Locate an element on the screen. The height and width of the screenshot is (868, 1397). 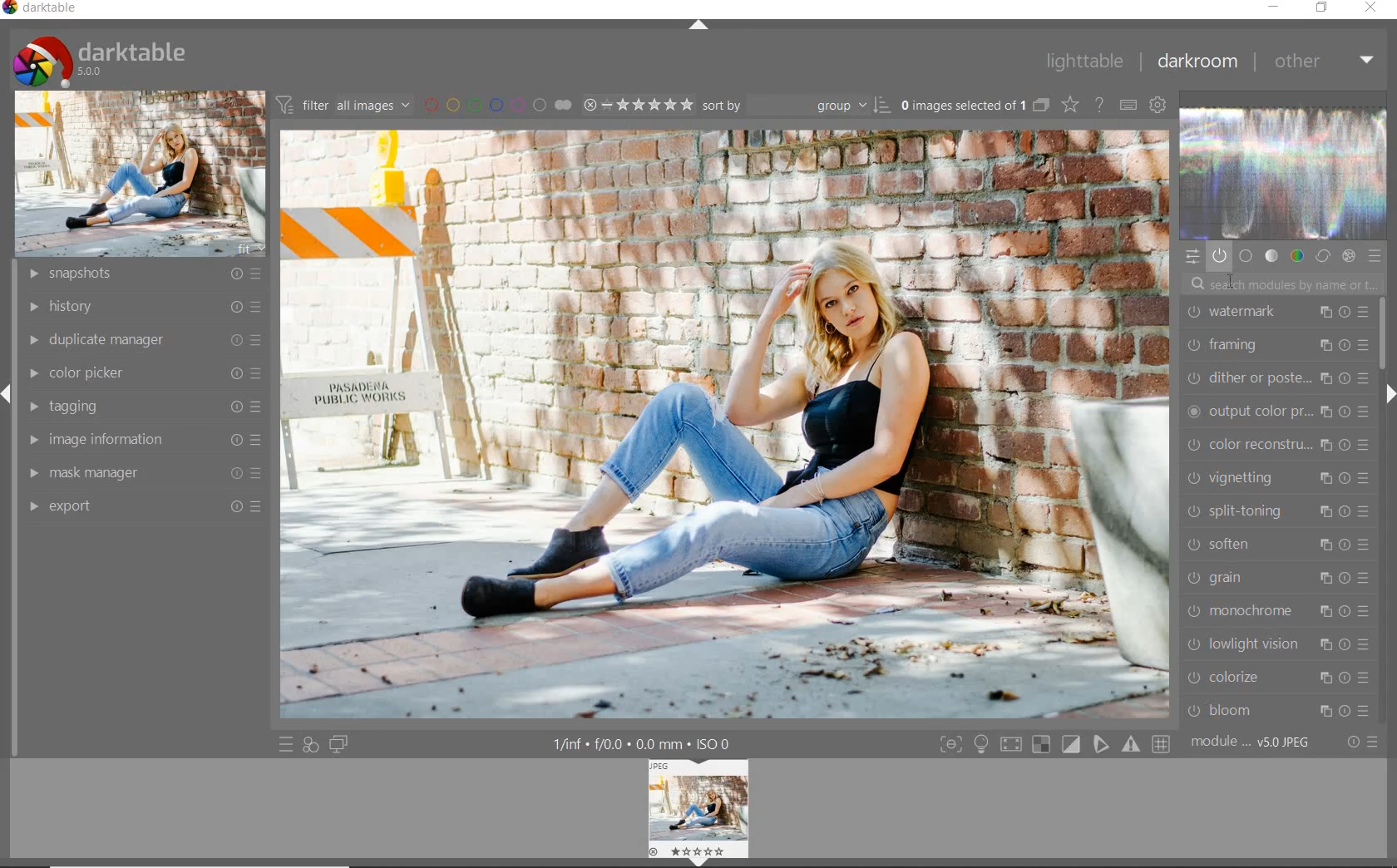
split-toning is located at coordinates (1276, 514).